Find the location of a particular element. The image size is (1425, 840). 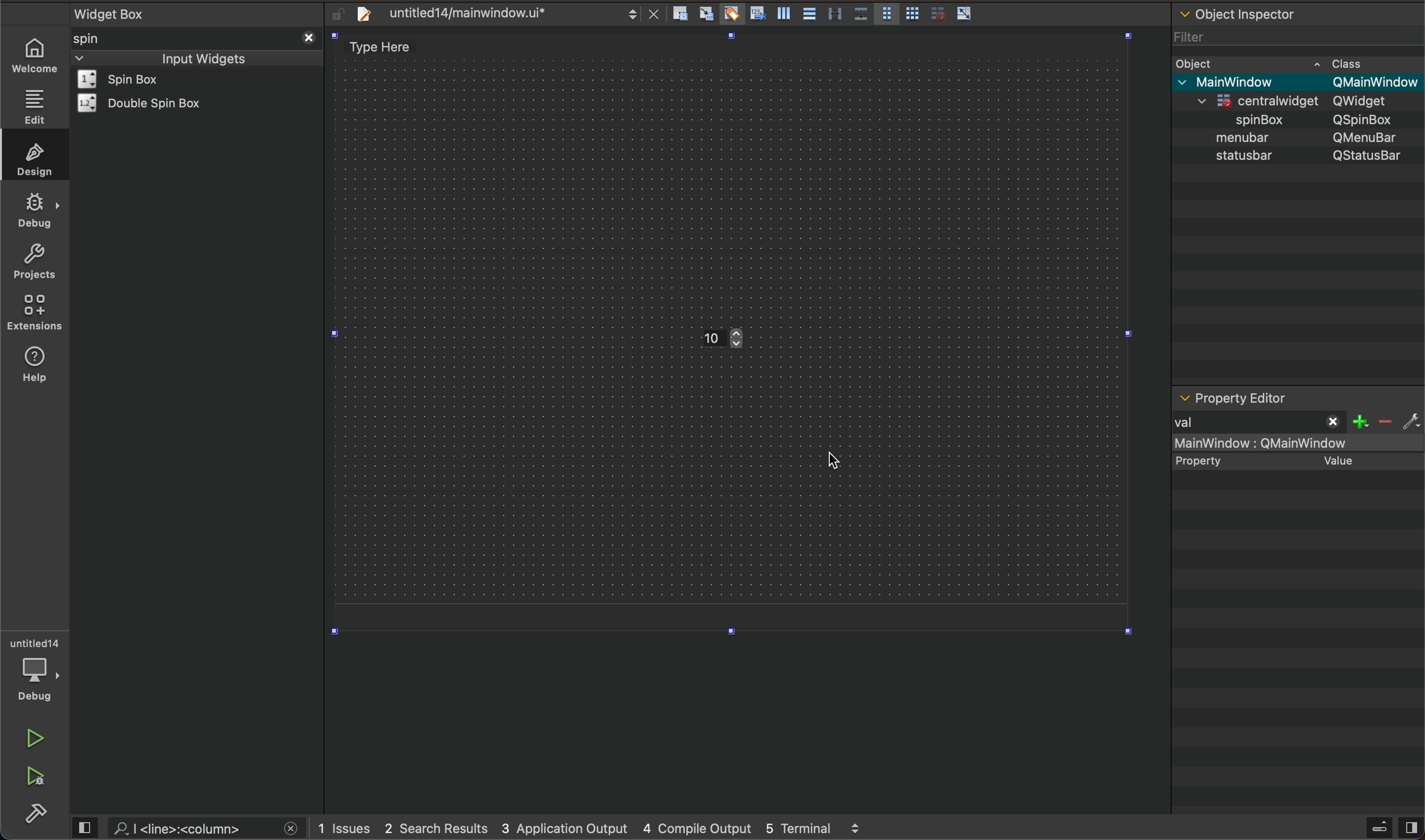

val filter is located at coordinates (1294, 423).